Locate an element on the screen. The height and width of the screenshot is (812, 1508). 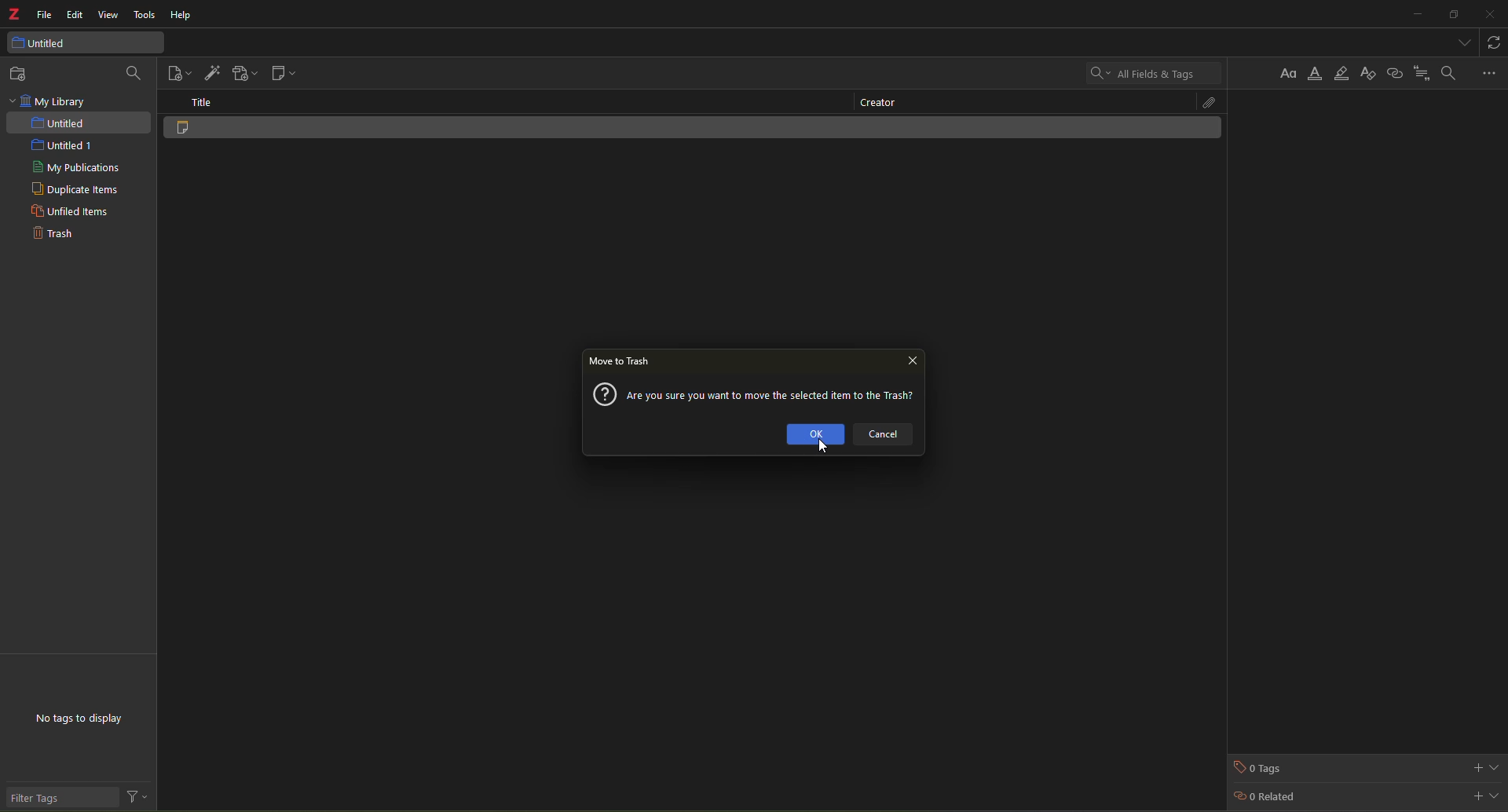
untitled is located at coordinates (42, 43).